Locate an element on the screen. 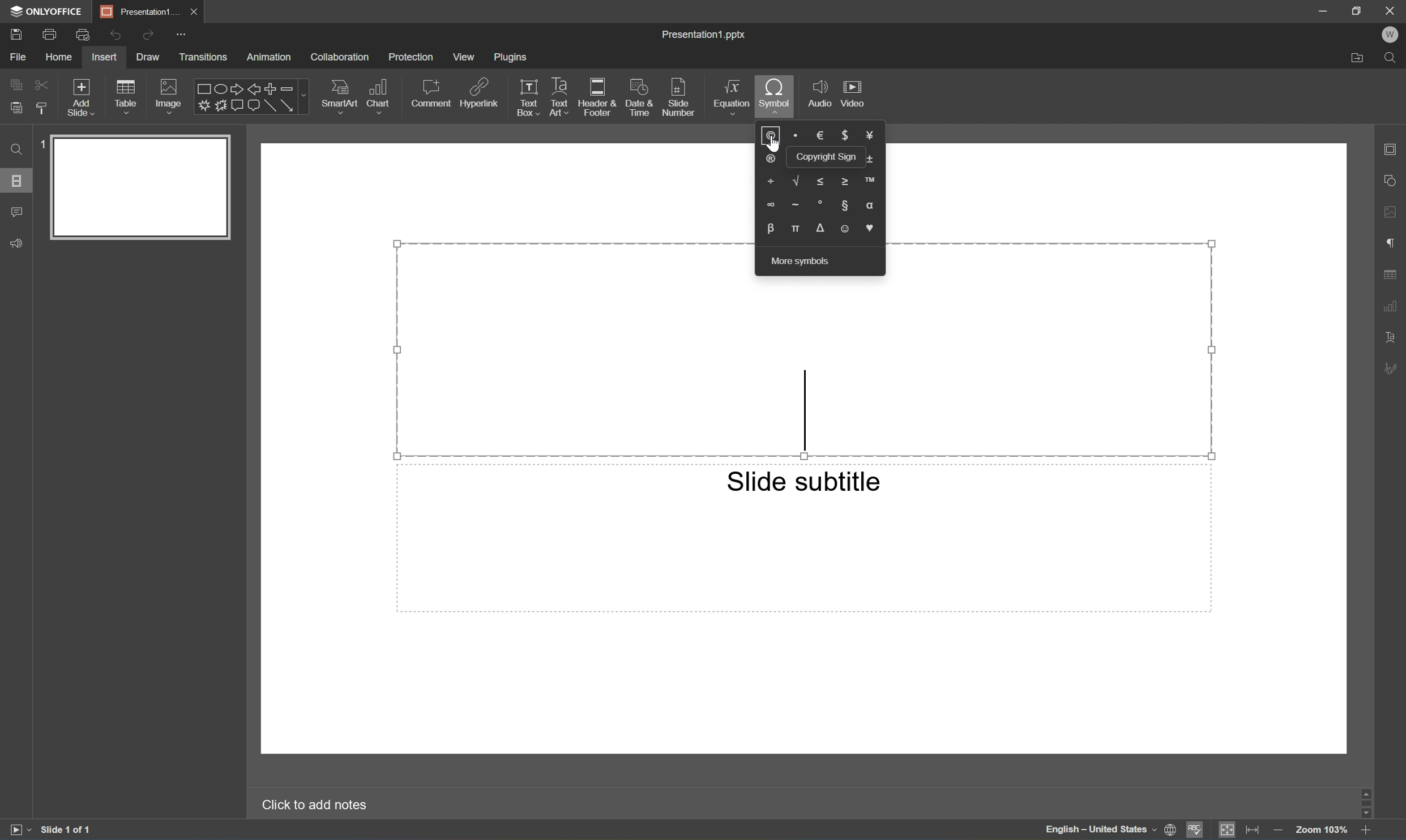 The height and width of the screenshot is (840, 1406). Quick print is located at coordinates (81, 36).